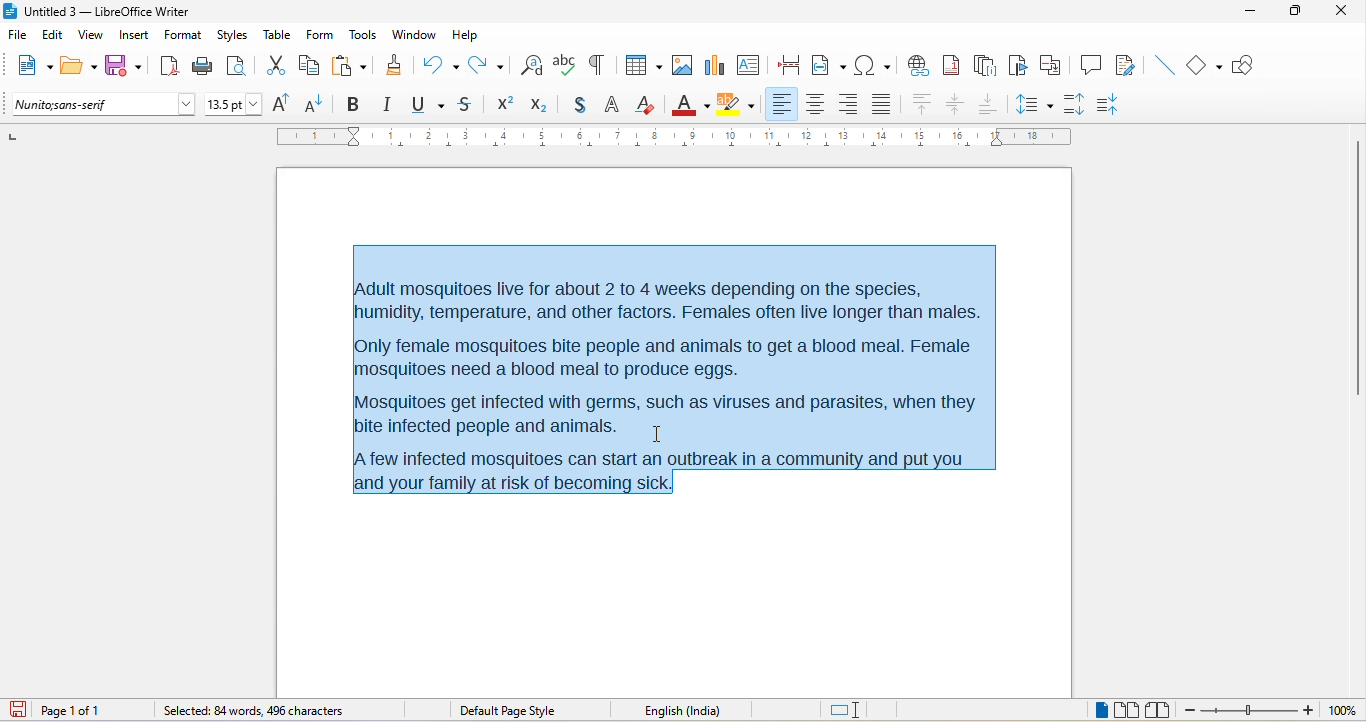 The image size is (1366, 722). I want to click on find and replace, so click(532, 64).